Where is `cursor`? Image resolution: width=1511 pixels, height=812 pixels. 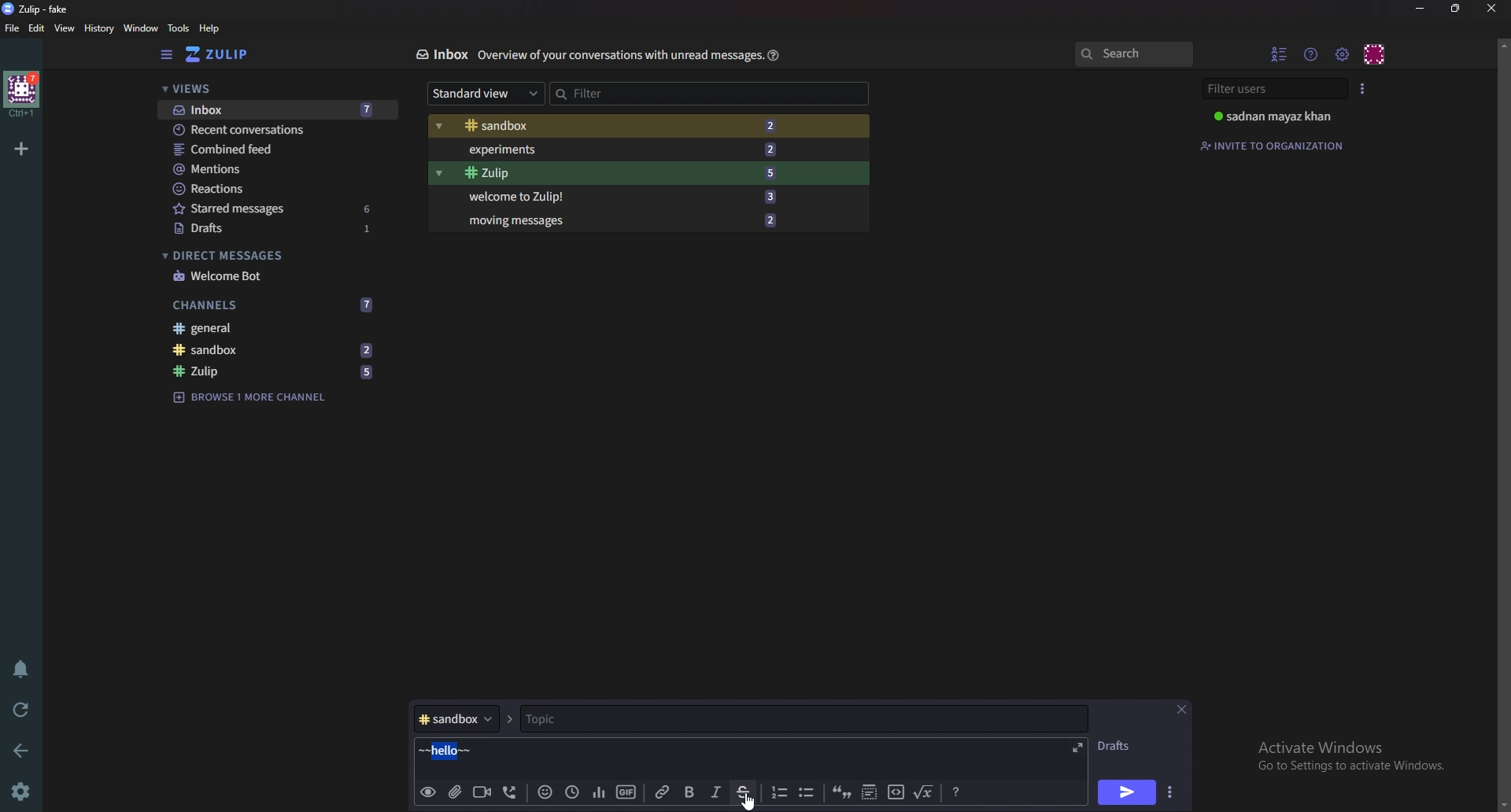 cursor is located at coordinates (748, 802).